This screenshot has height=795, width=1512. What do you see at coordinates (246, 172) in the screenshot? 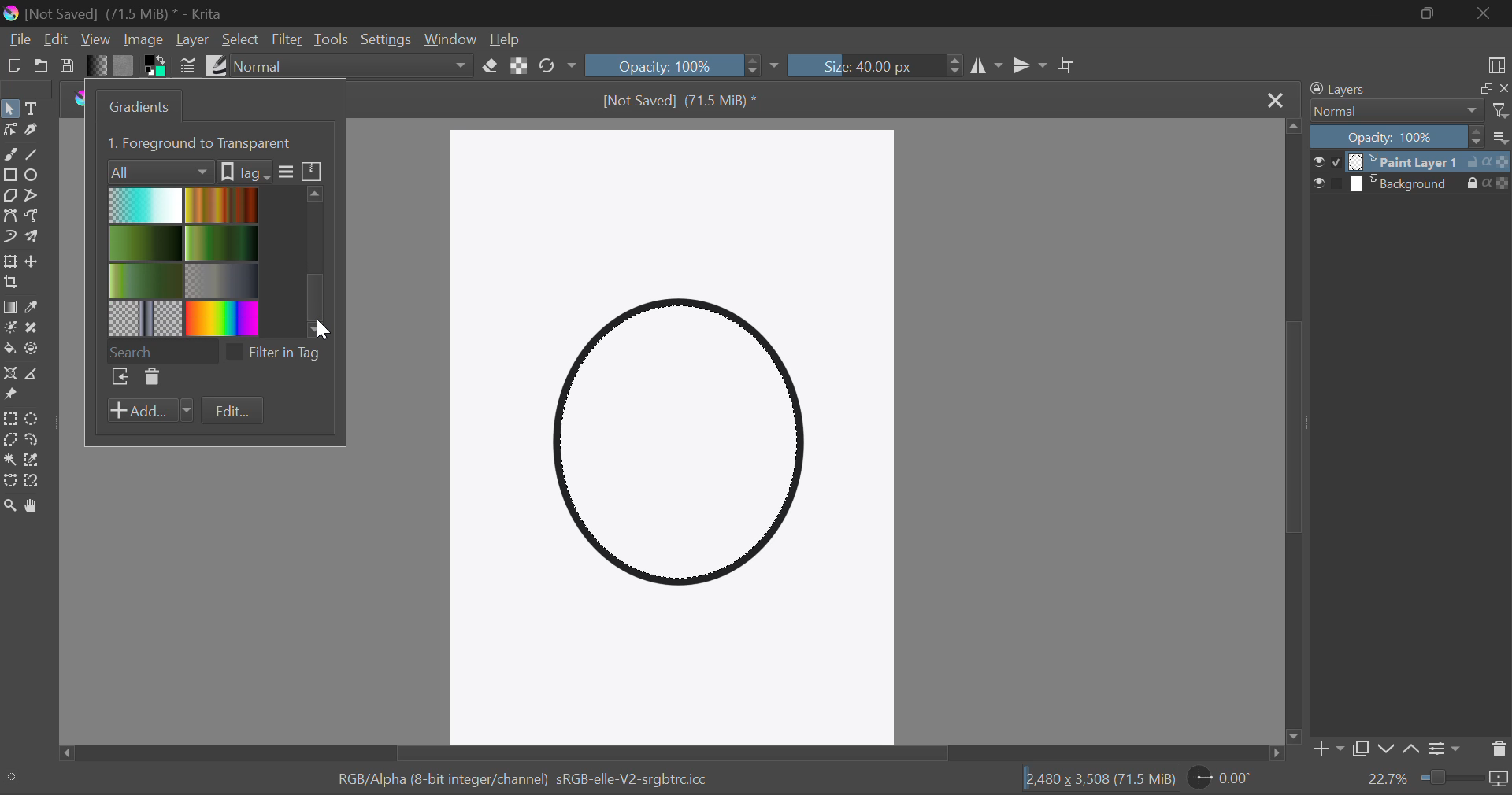
I see `tags` at bounding box center [246, 172].